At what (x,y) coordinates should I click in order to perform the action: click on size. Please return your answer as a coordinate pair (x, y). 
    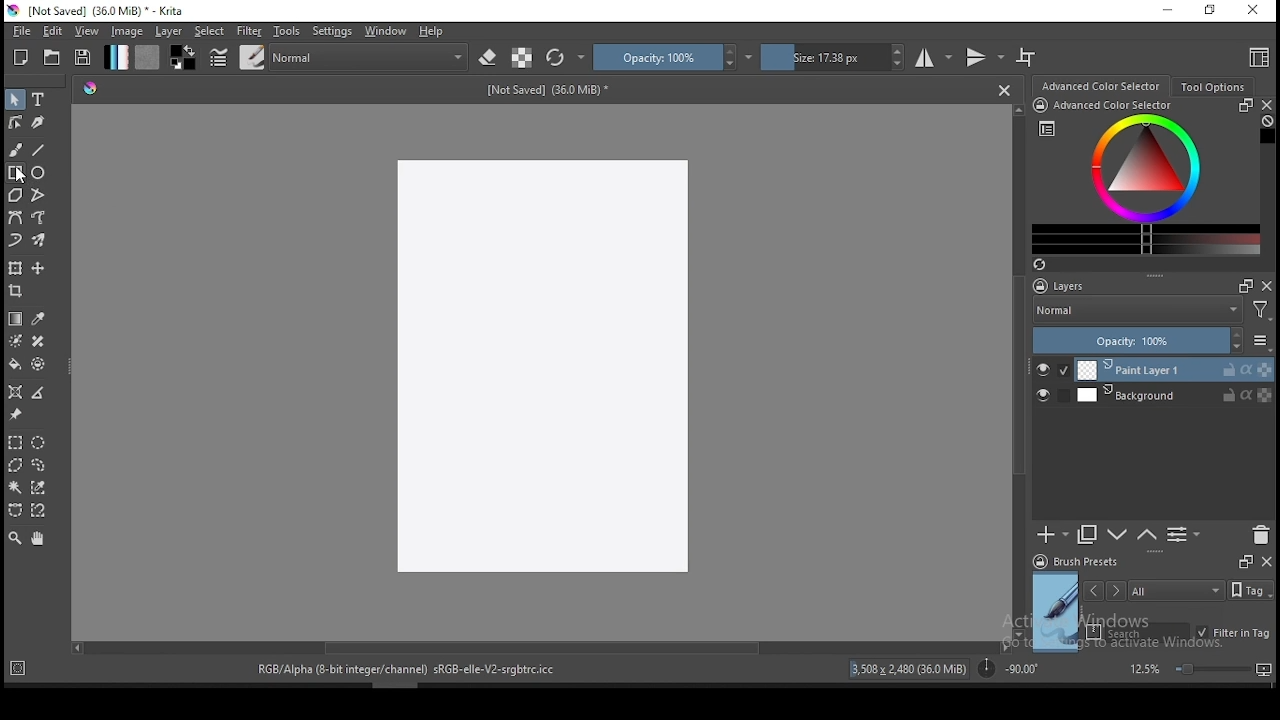
    Looking at the image, I should click on (833, 57).